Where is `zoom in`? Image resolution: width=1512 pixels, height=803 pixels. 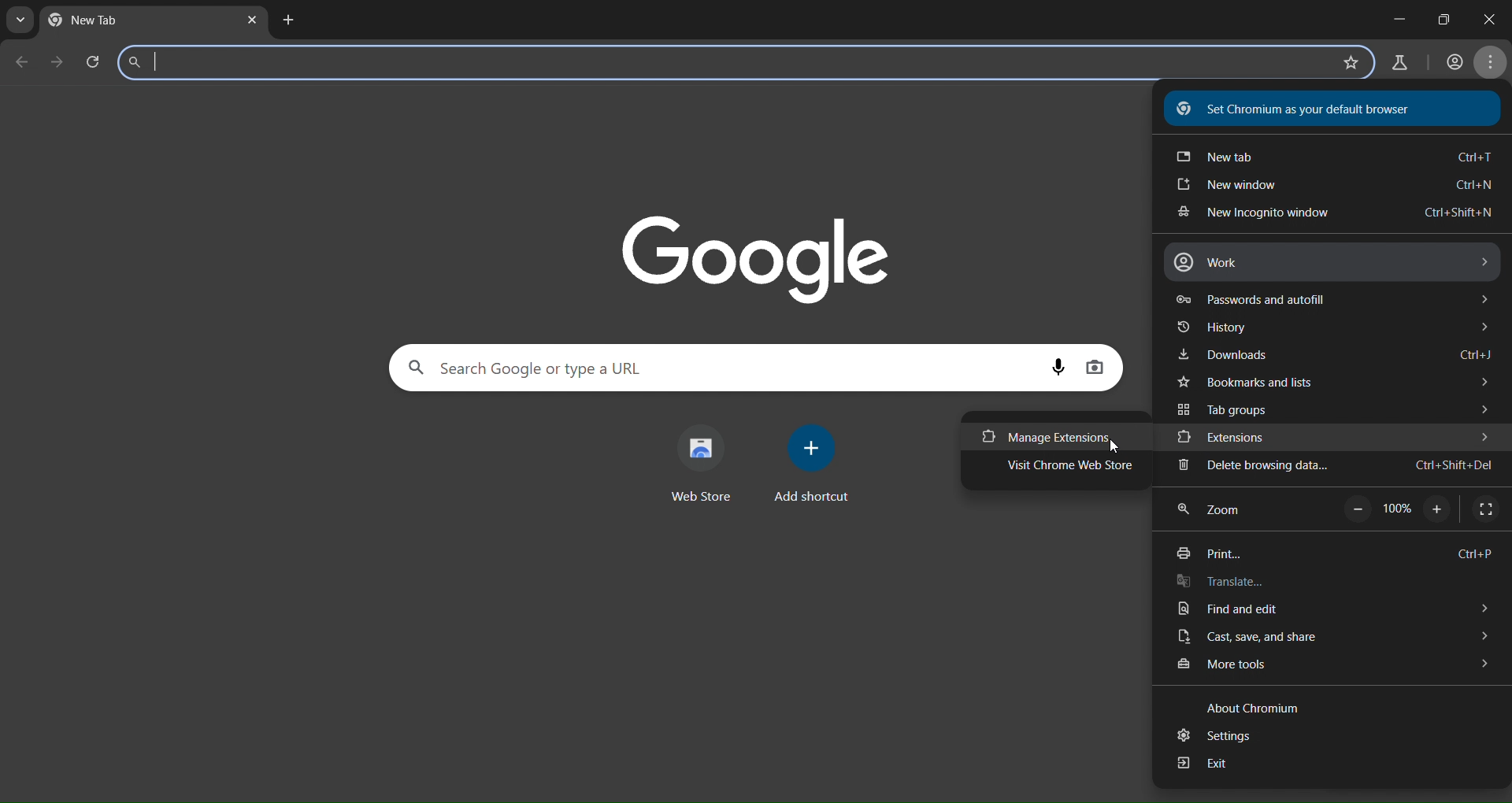
zoom in is located at coordinates (1437, 509).